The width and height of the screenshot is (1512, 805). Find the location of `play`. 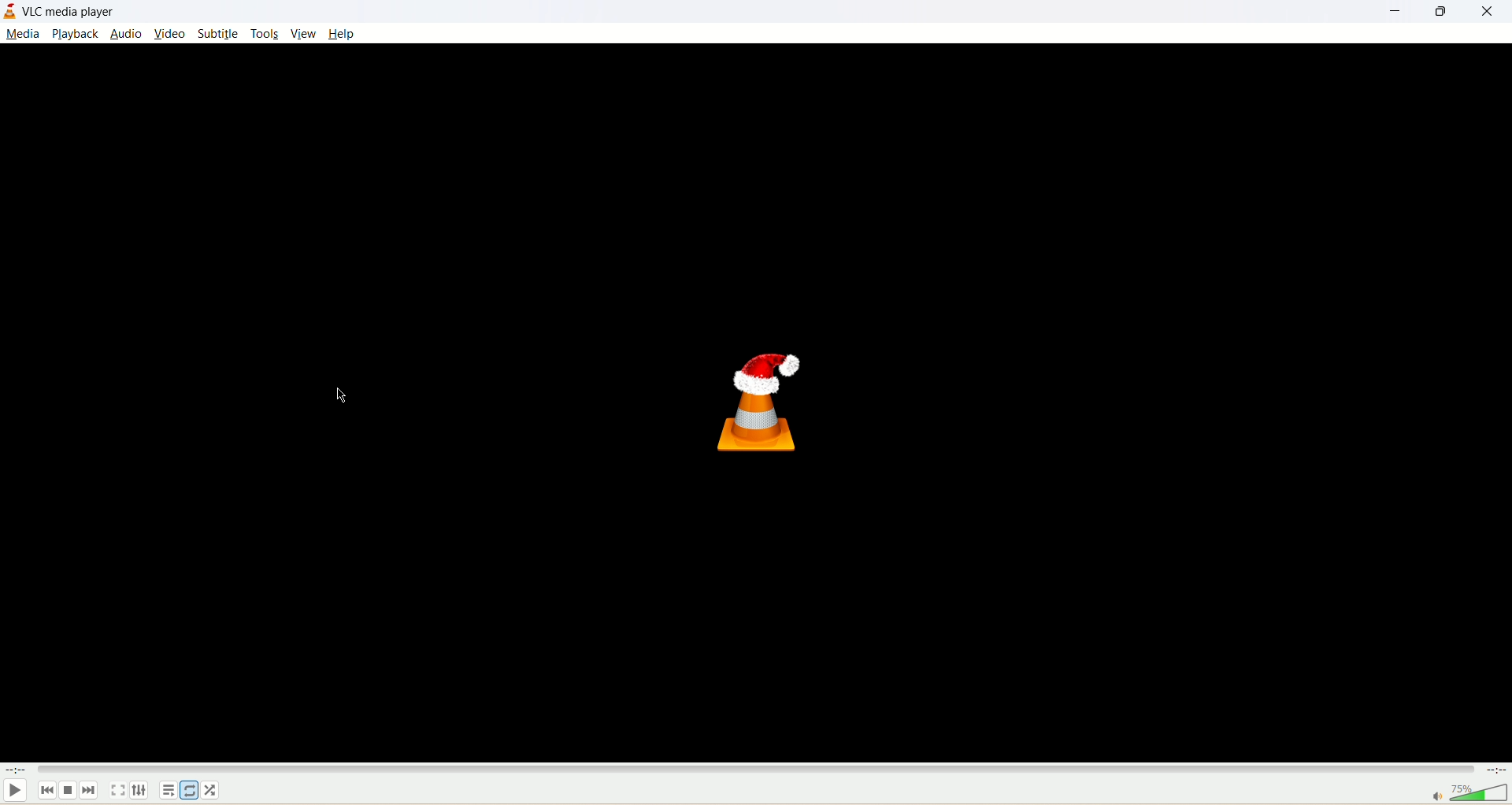

play is located at coordinates (17, 789).